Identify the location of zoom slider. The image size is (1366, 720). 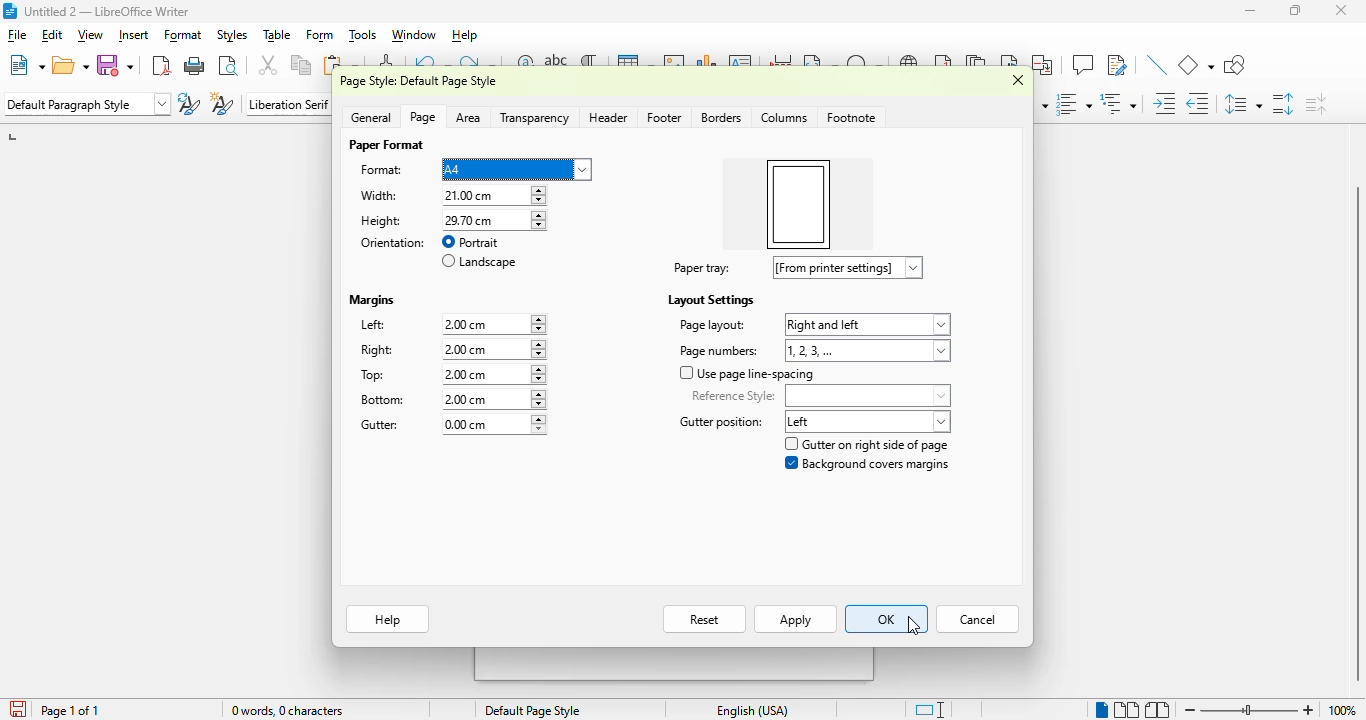
(1252, 710).